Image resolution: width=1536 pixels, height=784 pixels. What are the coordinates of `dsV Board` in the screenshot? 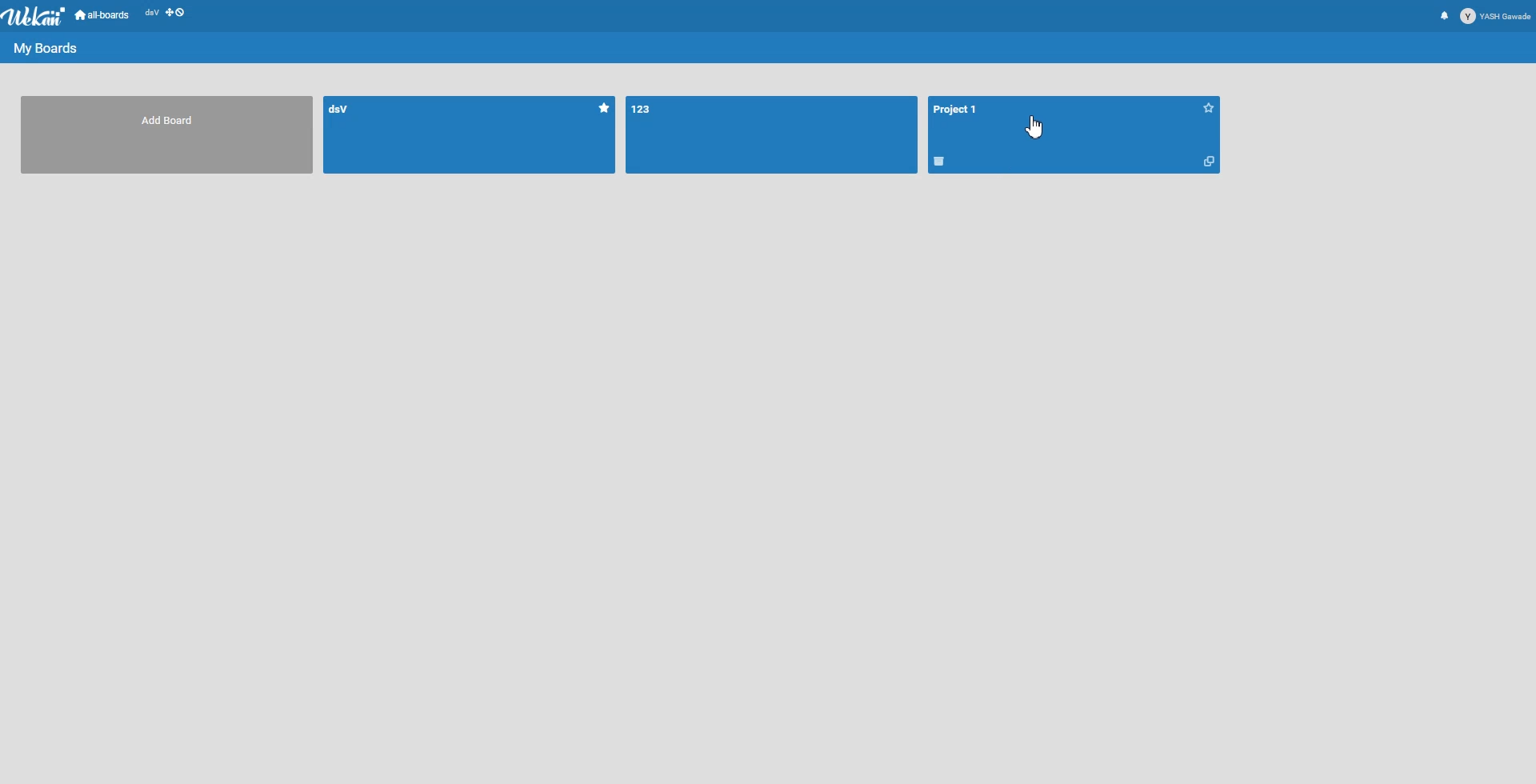 It's located at (345, 109).